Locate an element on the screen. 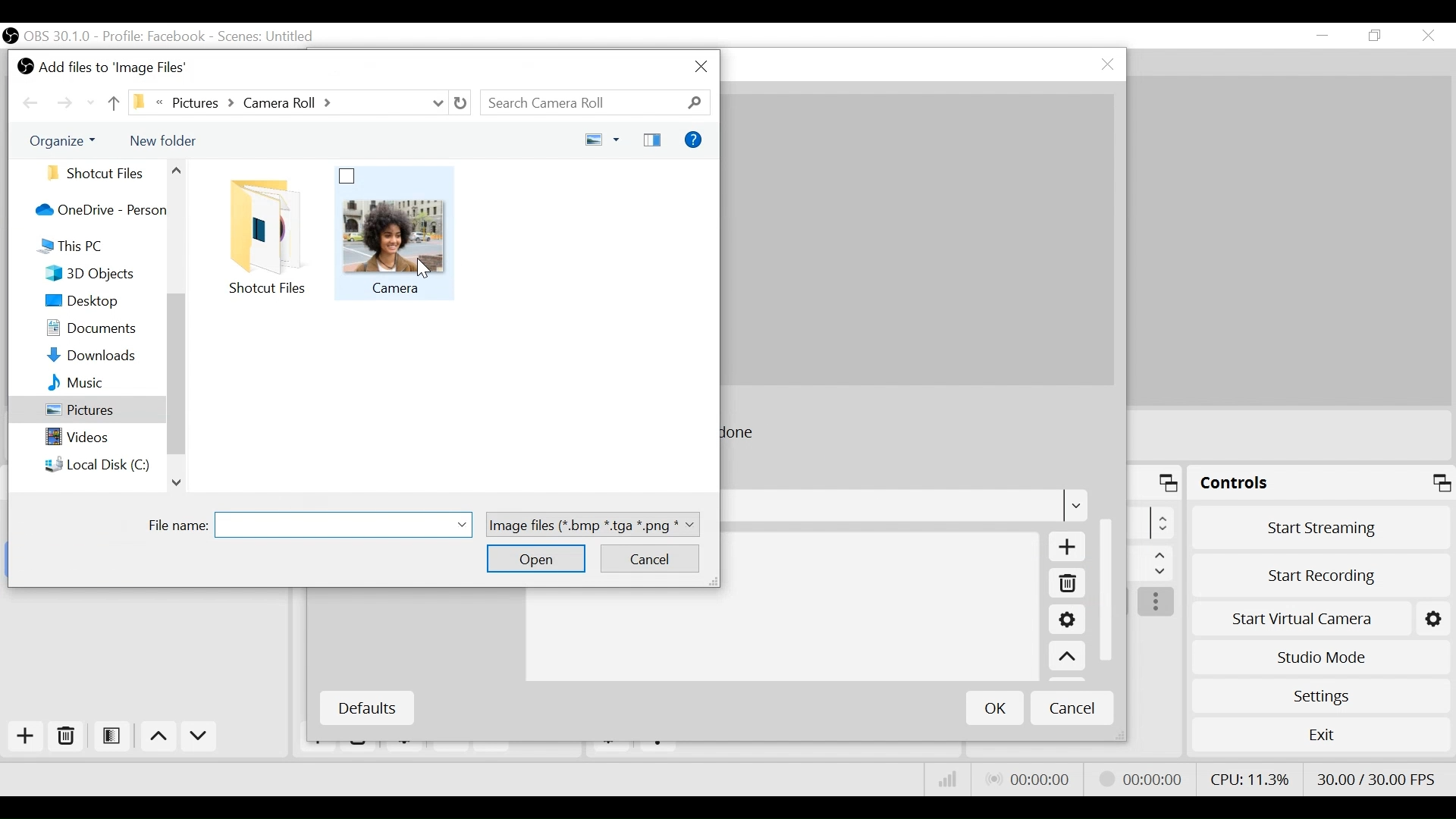 The height and width of the screenshot is (819, 1456). OBS Version is located at coordinates (60, 36).